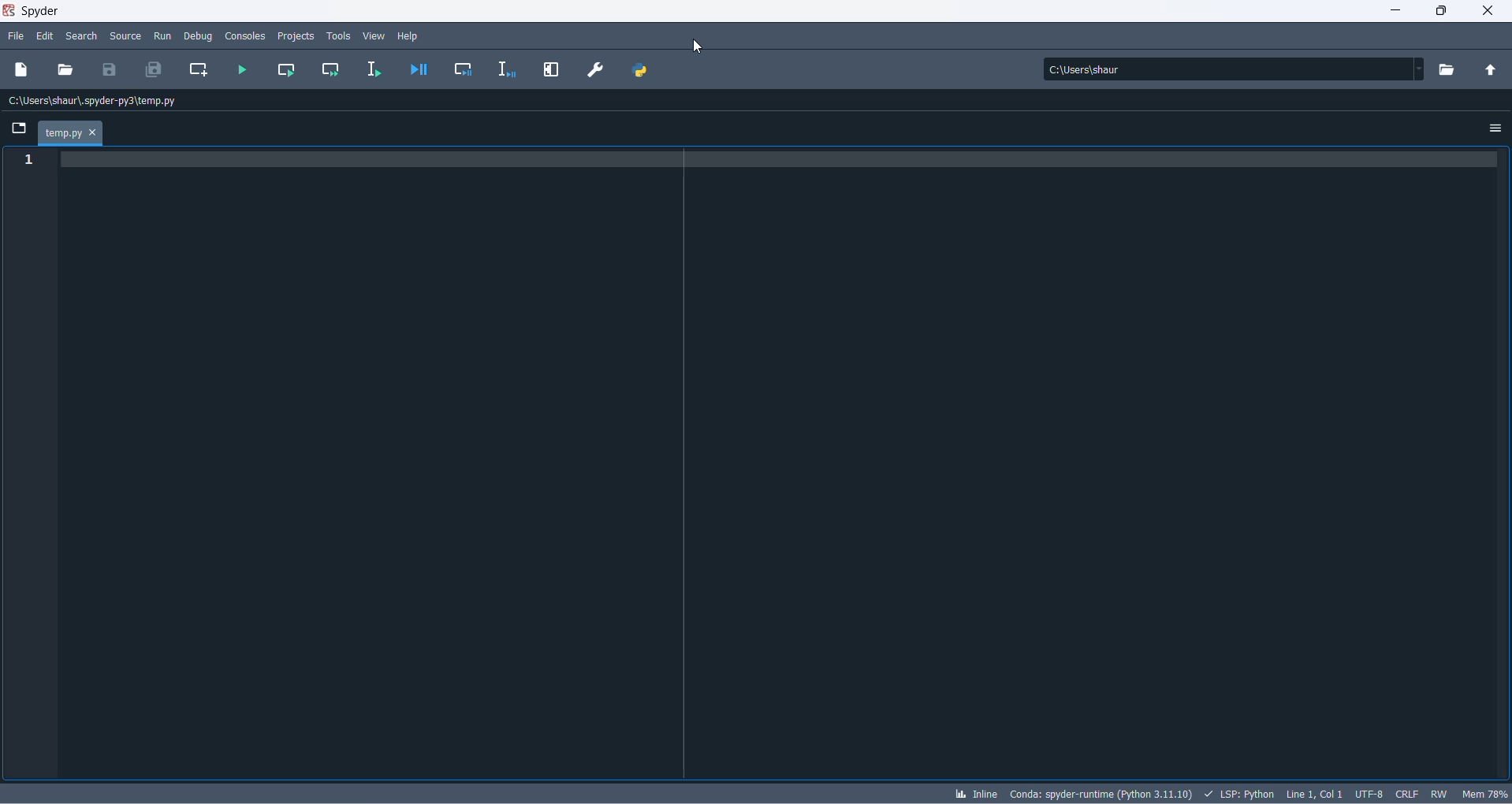 This screenshot has width=1512, height=804. I want to click on script, so click(1239, 792).